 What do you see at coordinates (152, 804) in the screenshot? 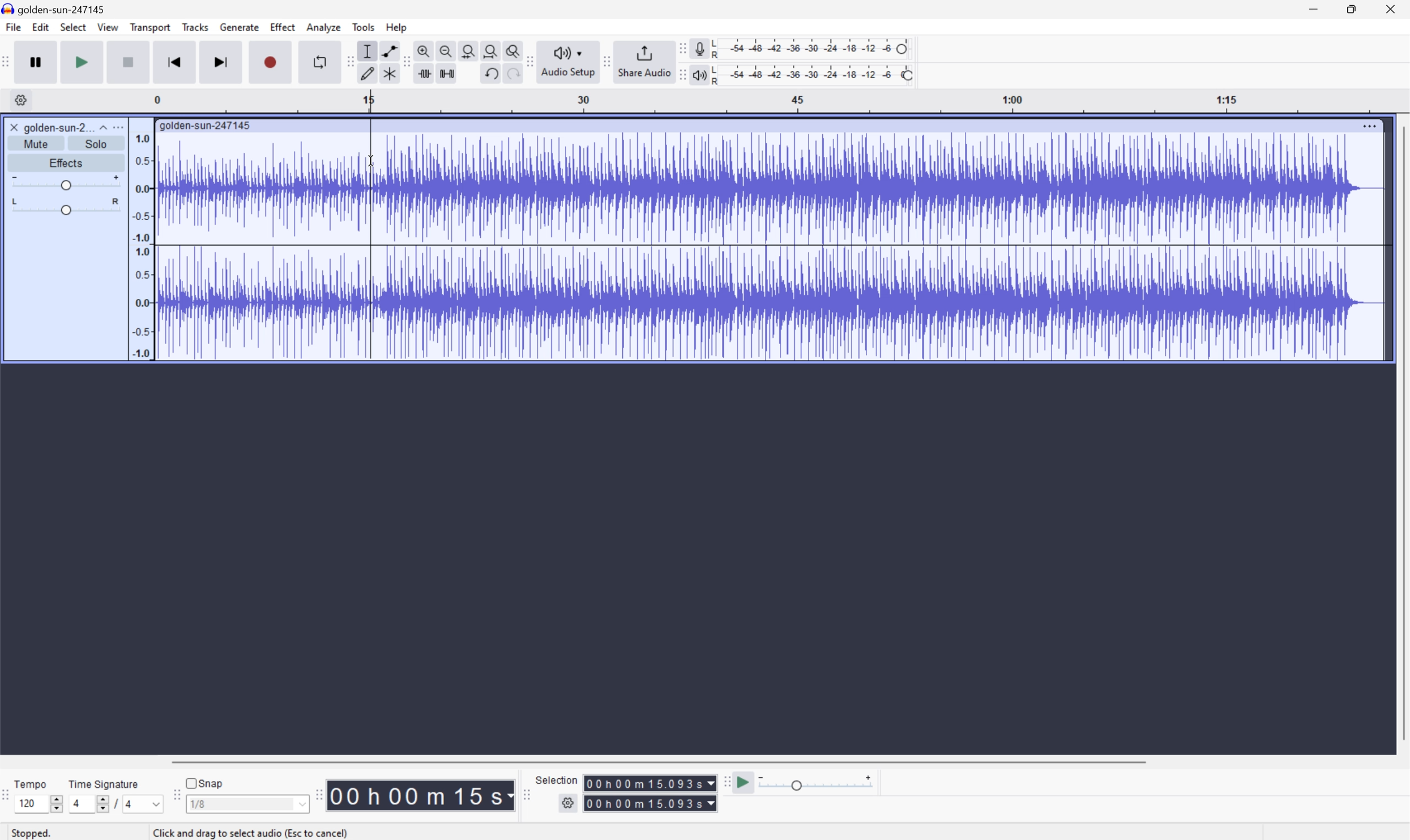
I see `Drop Down` at bounding box center [152, 804].